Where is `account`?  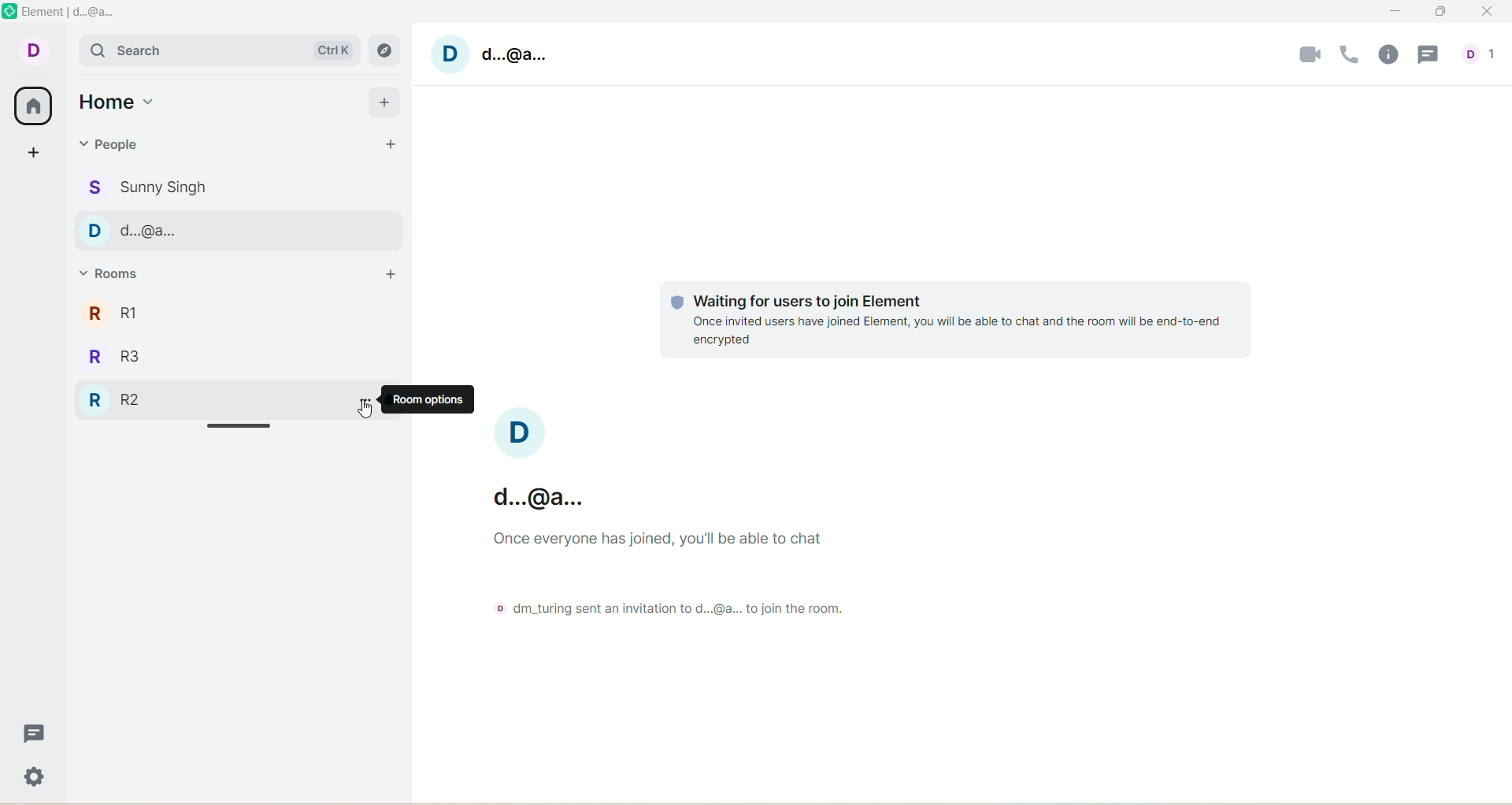
account is located at coordinates (32, 48).